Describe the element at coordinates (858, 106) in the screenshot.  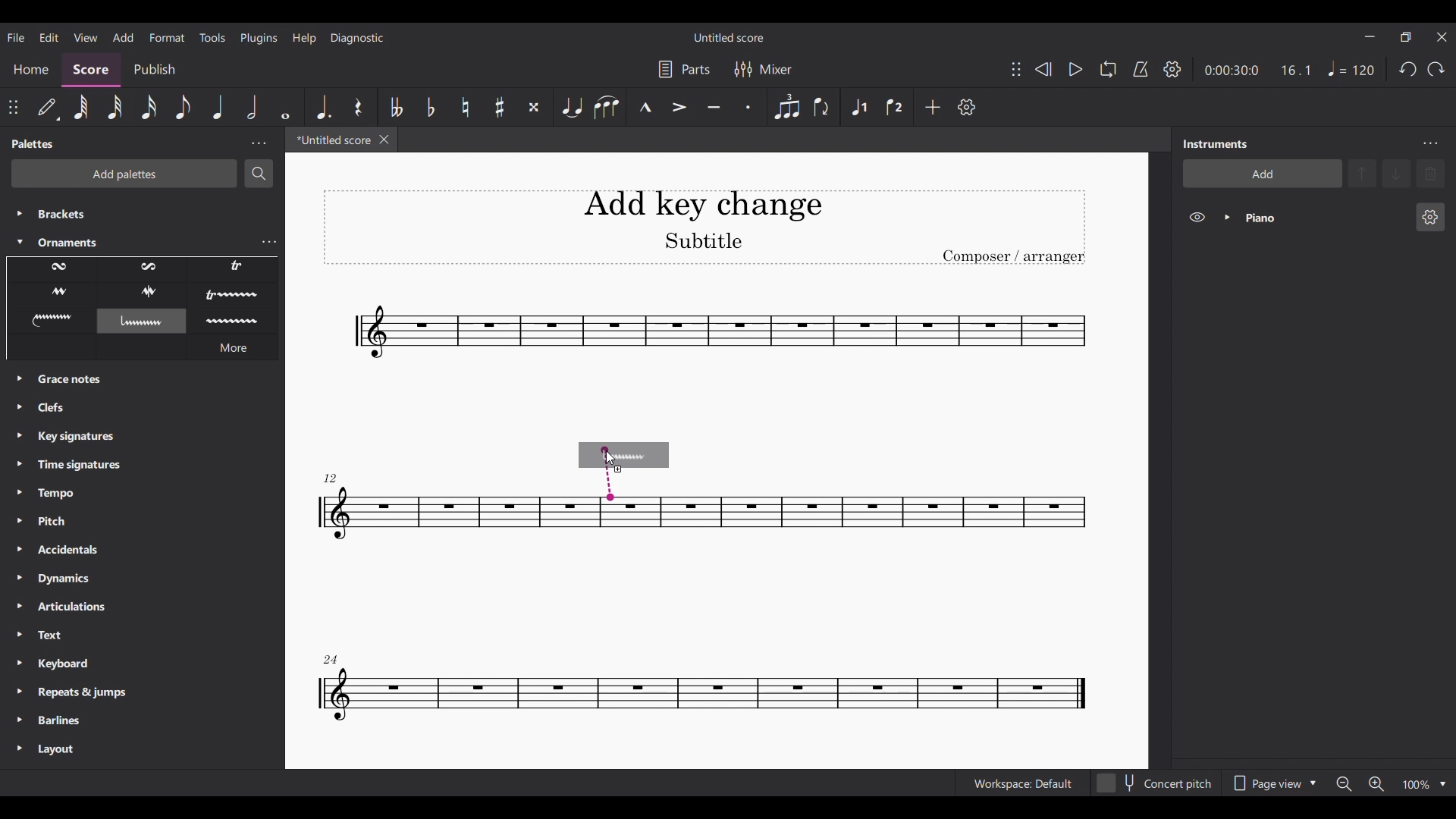
I see `Voice 1` at that location.